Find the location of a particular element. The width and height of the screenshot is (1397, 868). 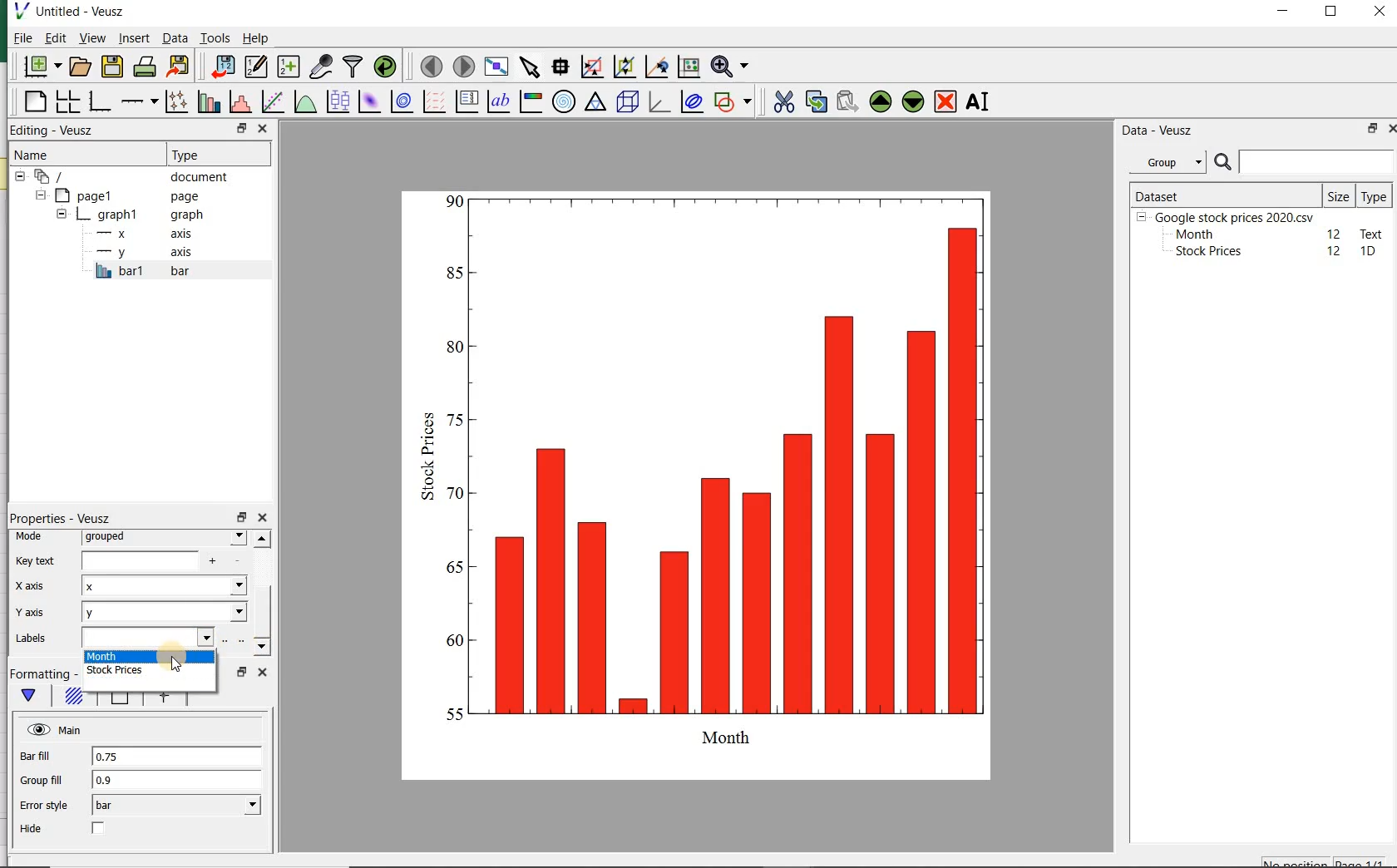

x is located at coordinates (164, 584).